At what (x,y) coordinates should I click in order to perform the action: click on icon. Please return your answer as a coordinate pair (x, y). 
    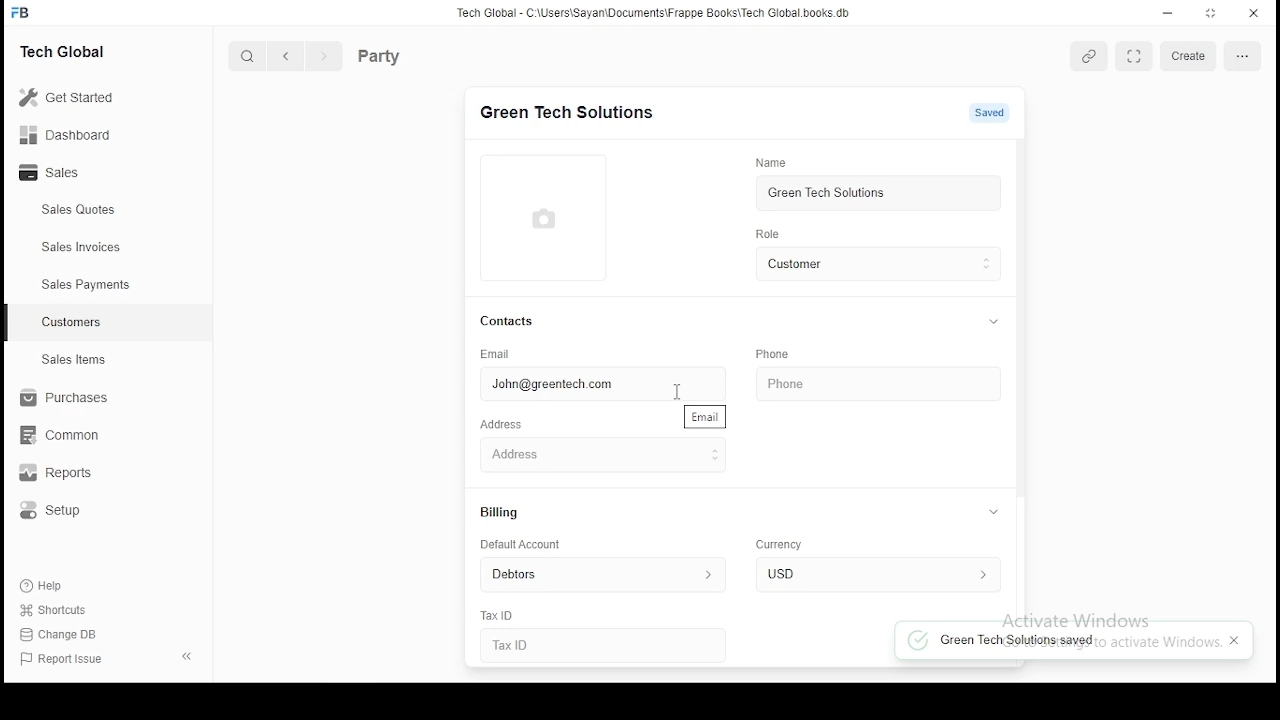
    Looking at the image, I should click on (23, 12).